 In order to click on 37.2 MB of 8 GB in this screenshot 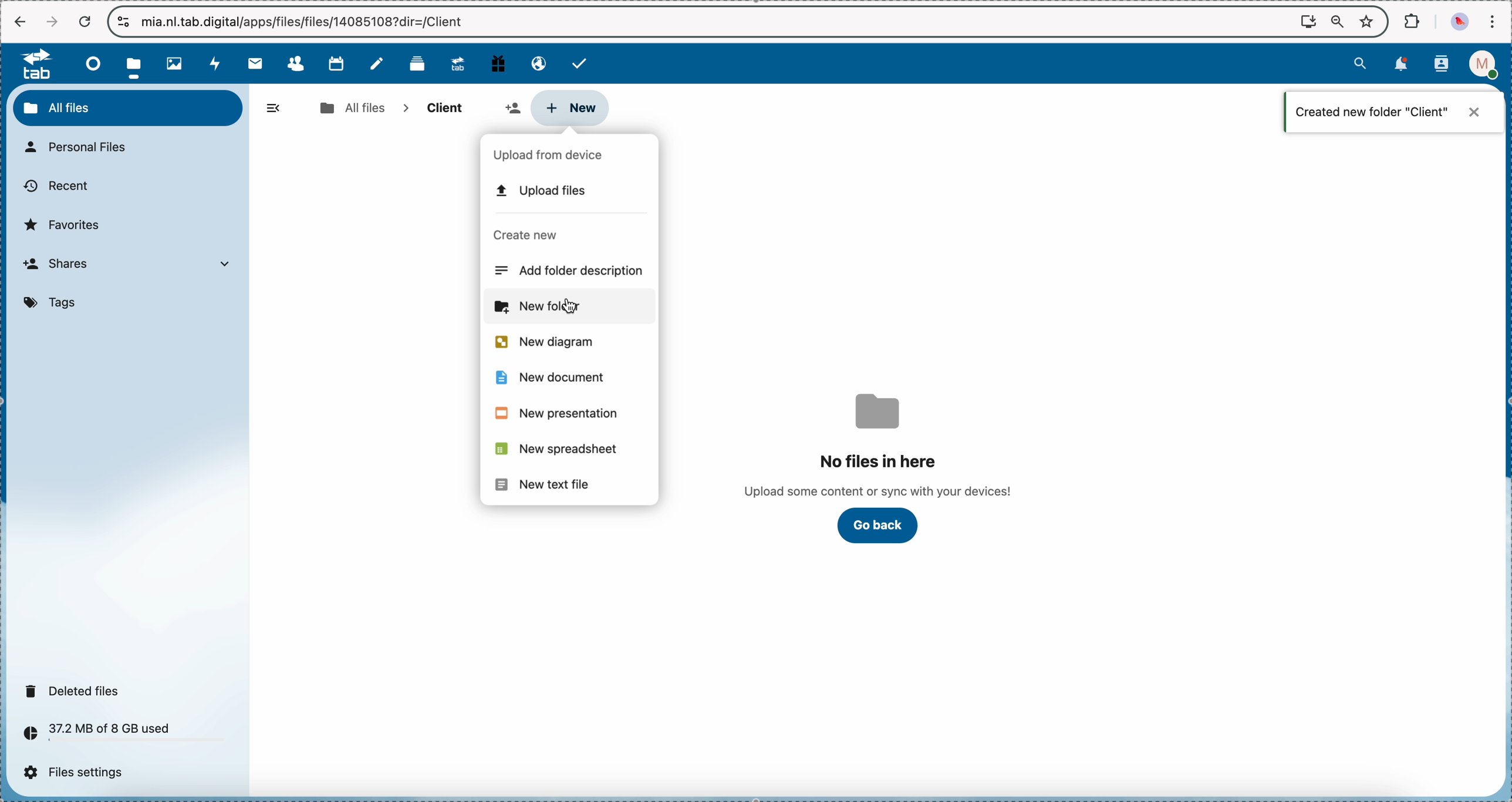, I will do `click(93, 735)`.